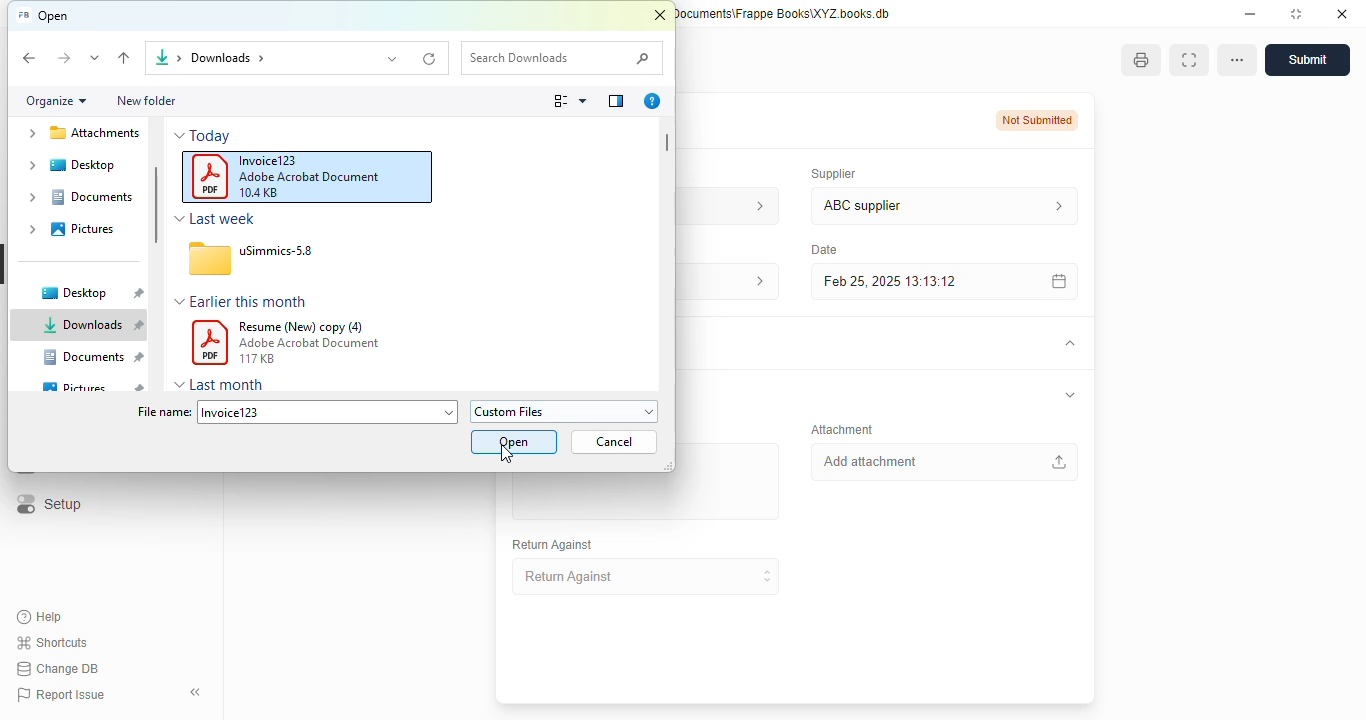 This screenshot has width=1366, height=720. I want to click on account information, so click(753, 282).